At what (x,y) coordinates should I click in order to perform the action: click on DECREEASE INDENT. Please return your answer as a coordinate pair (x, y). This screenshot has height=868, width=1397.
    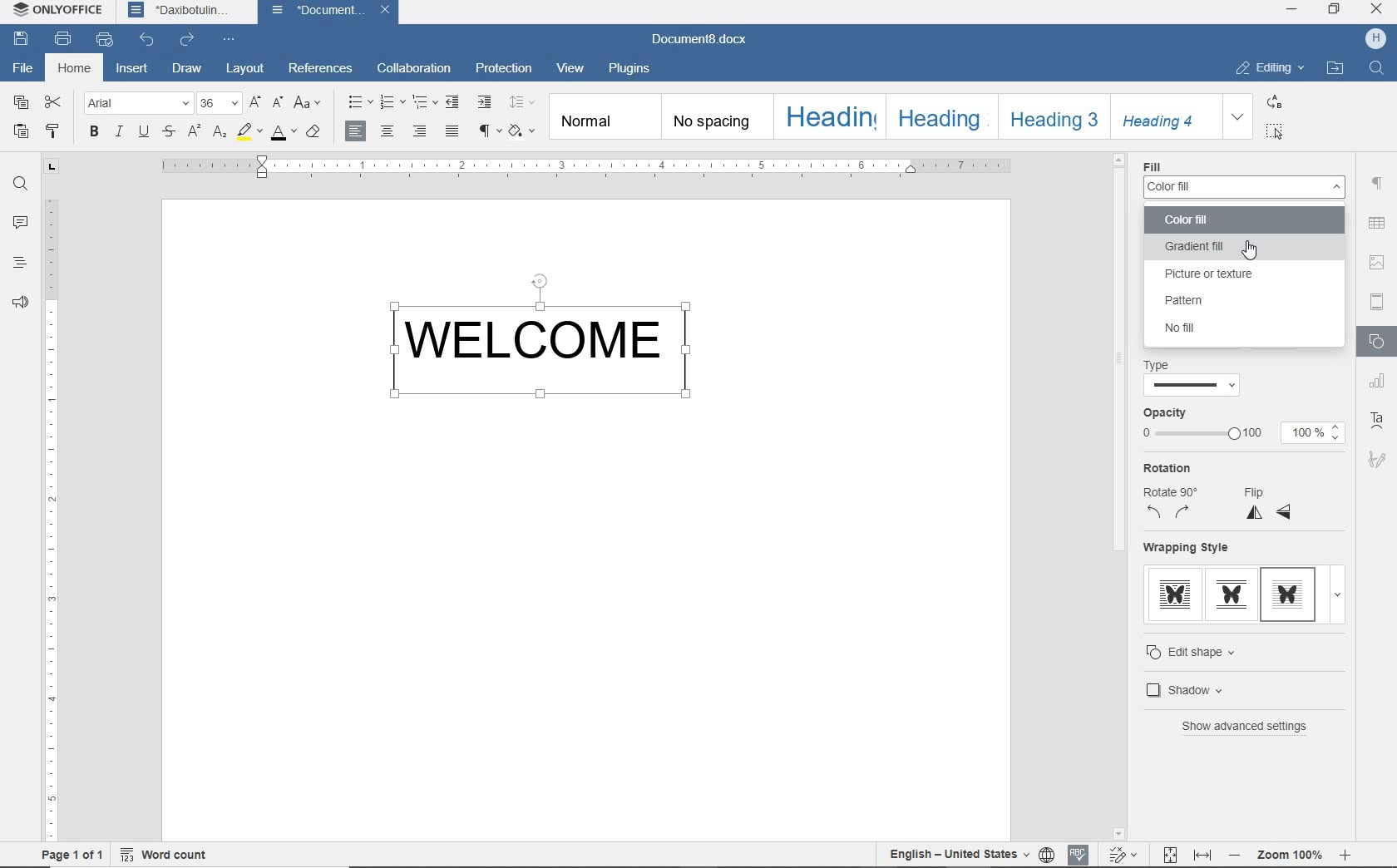
    Looking at the image, I should click on (453, 102).